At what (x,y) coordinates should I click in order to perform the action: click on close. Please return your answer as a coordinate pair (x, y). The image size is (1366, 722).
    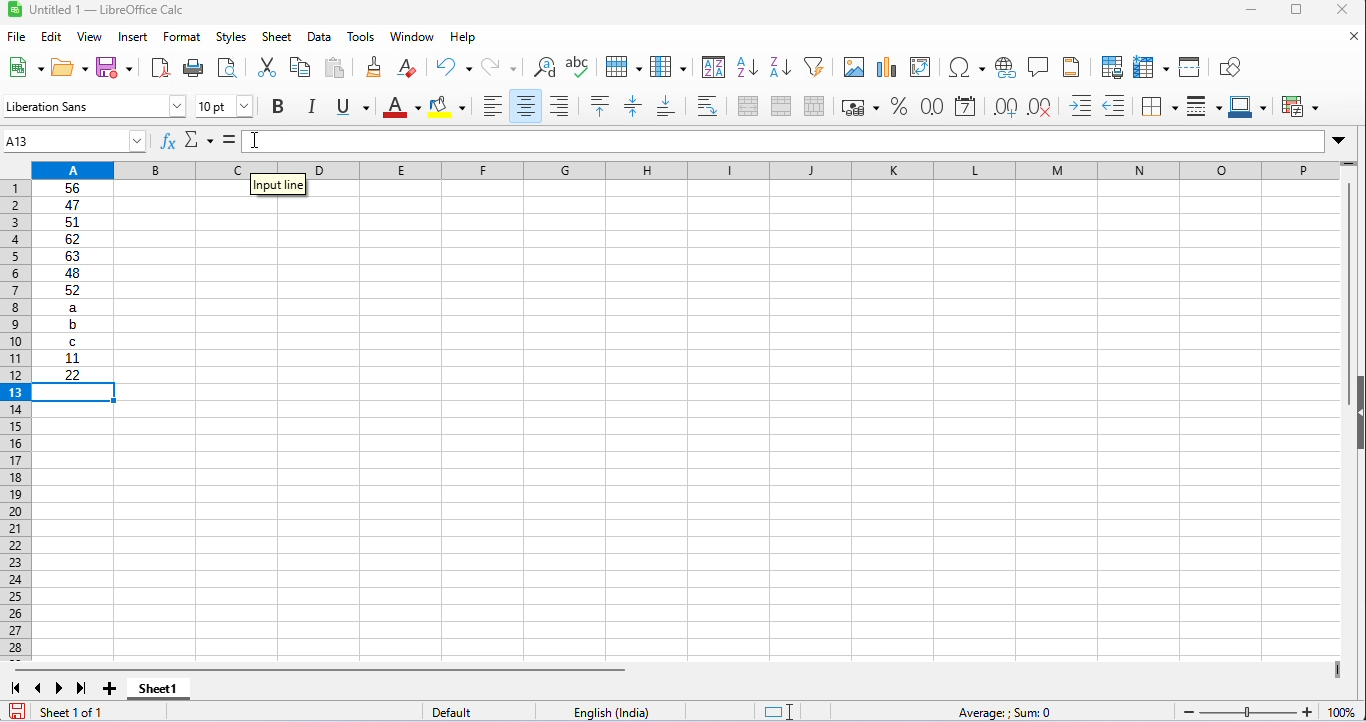
    Looking at the image, I should click on (1344, 11).